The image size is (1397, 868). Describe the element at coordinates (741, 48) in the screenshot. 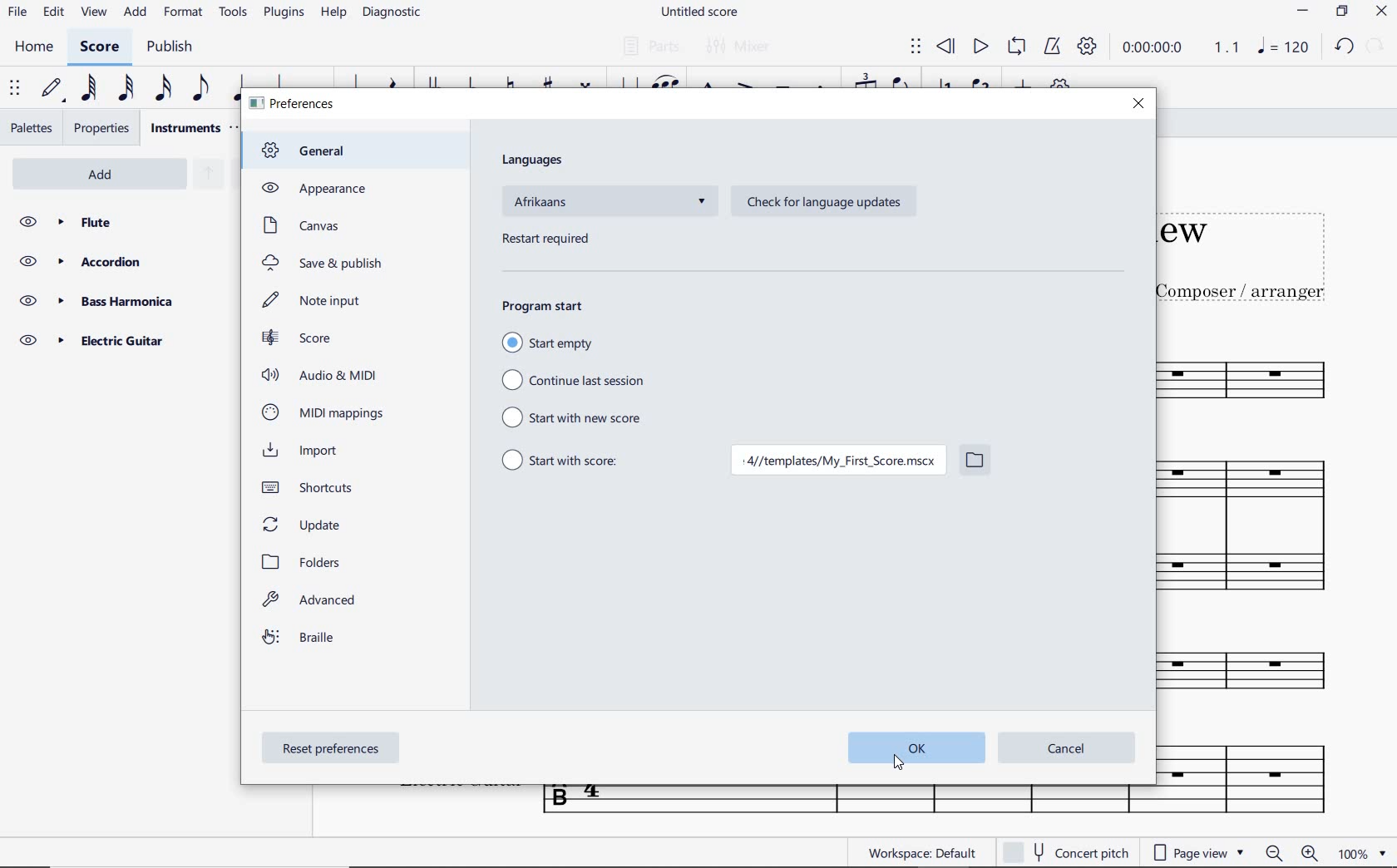

I see `mixer` at that location.